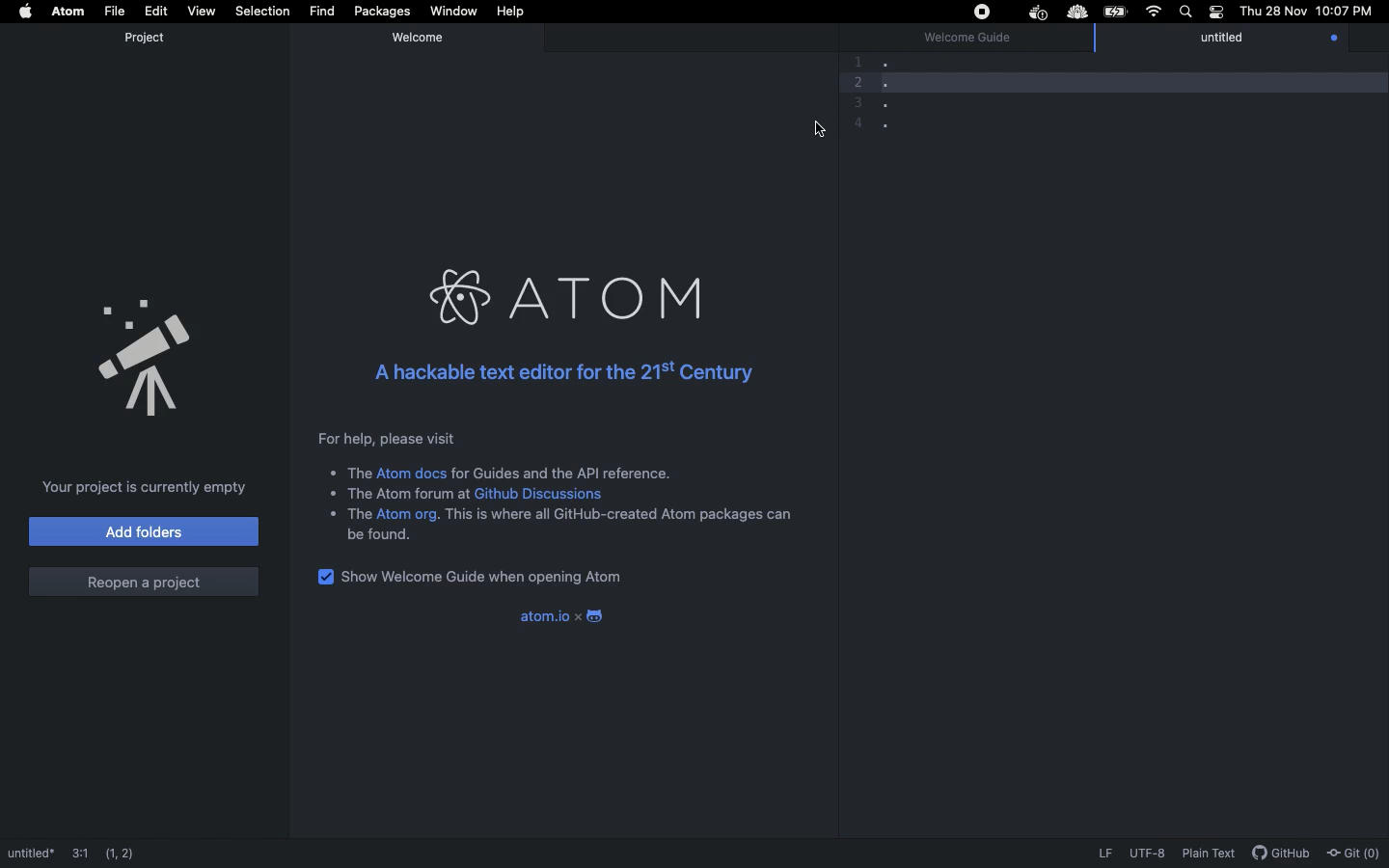  I want to click on Packages, so click(380, 12).